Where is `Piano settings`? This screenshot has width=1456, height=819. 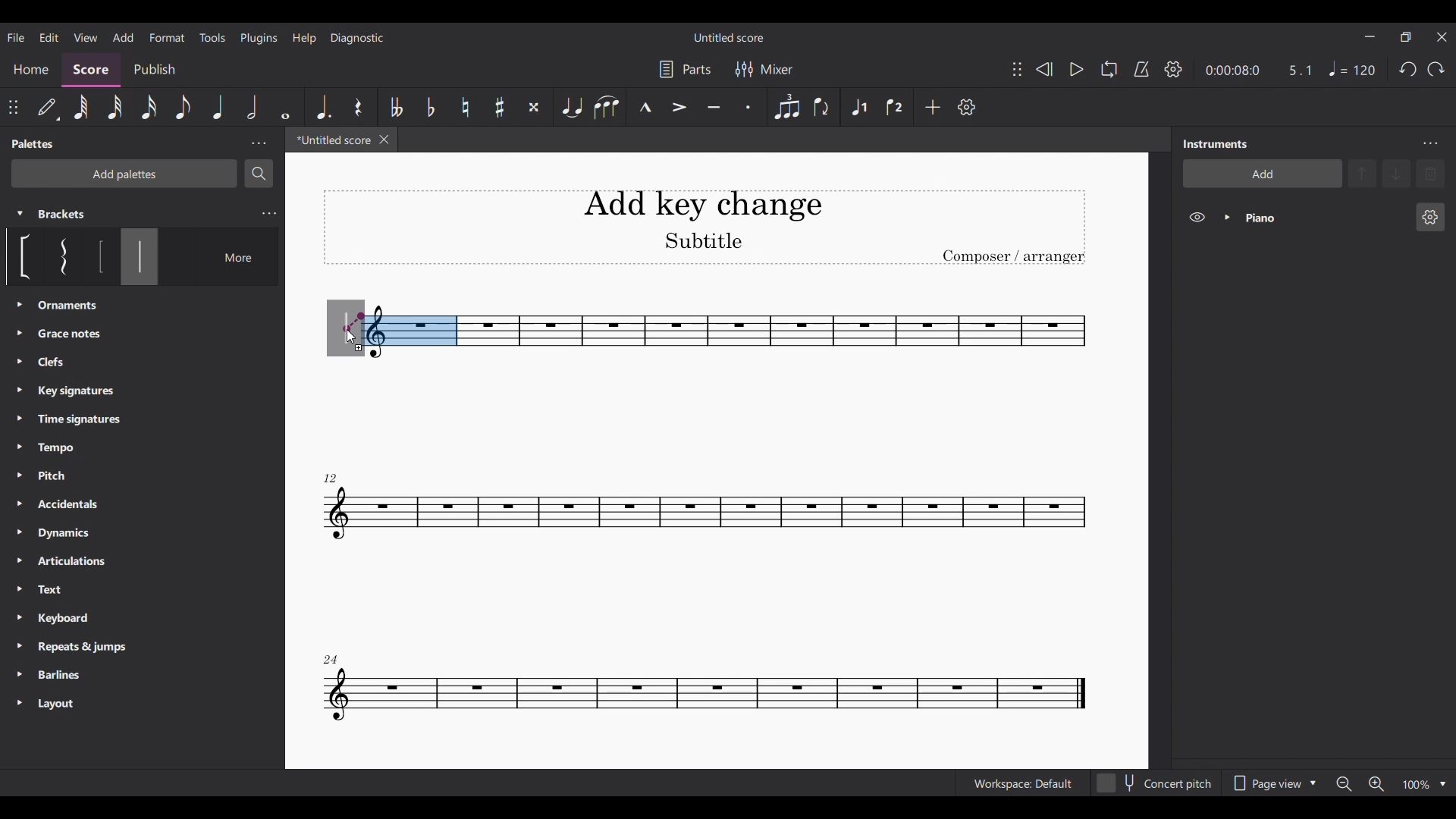
Piano settings is located at coordinates (1431, 217).